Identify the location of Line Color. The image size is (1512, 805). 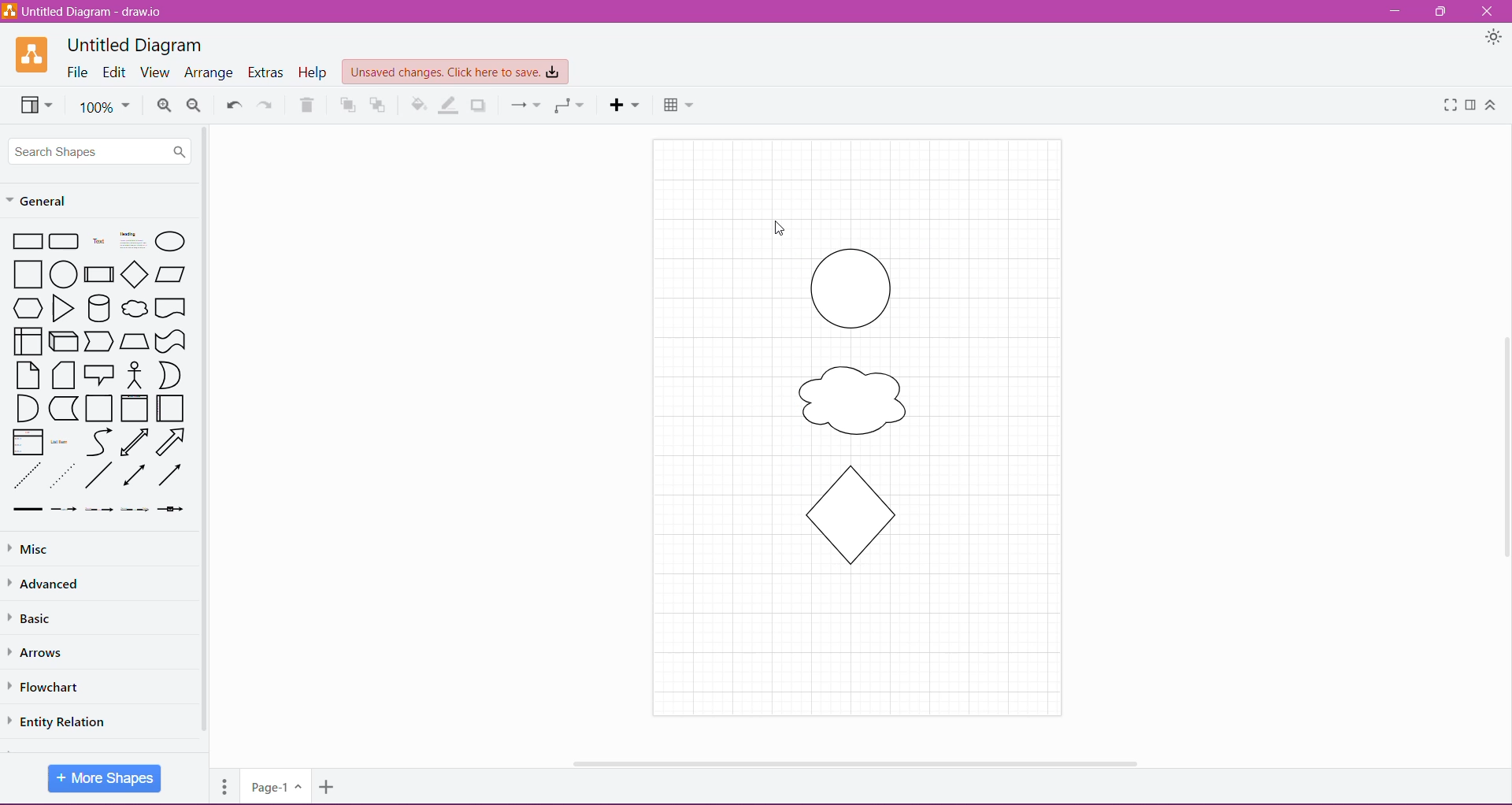
(450, 105).